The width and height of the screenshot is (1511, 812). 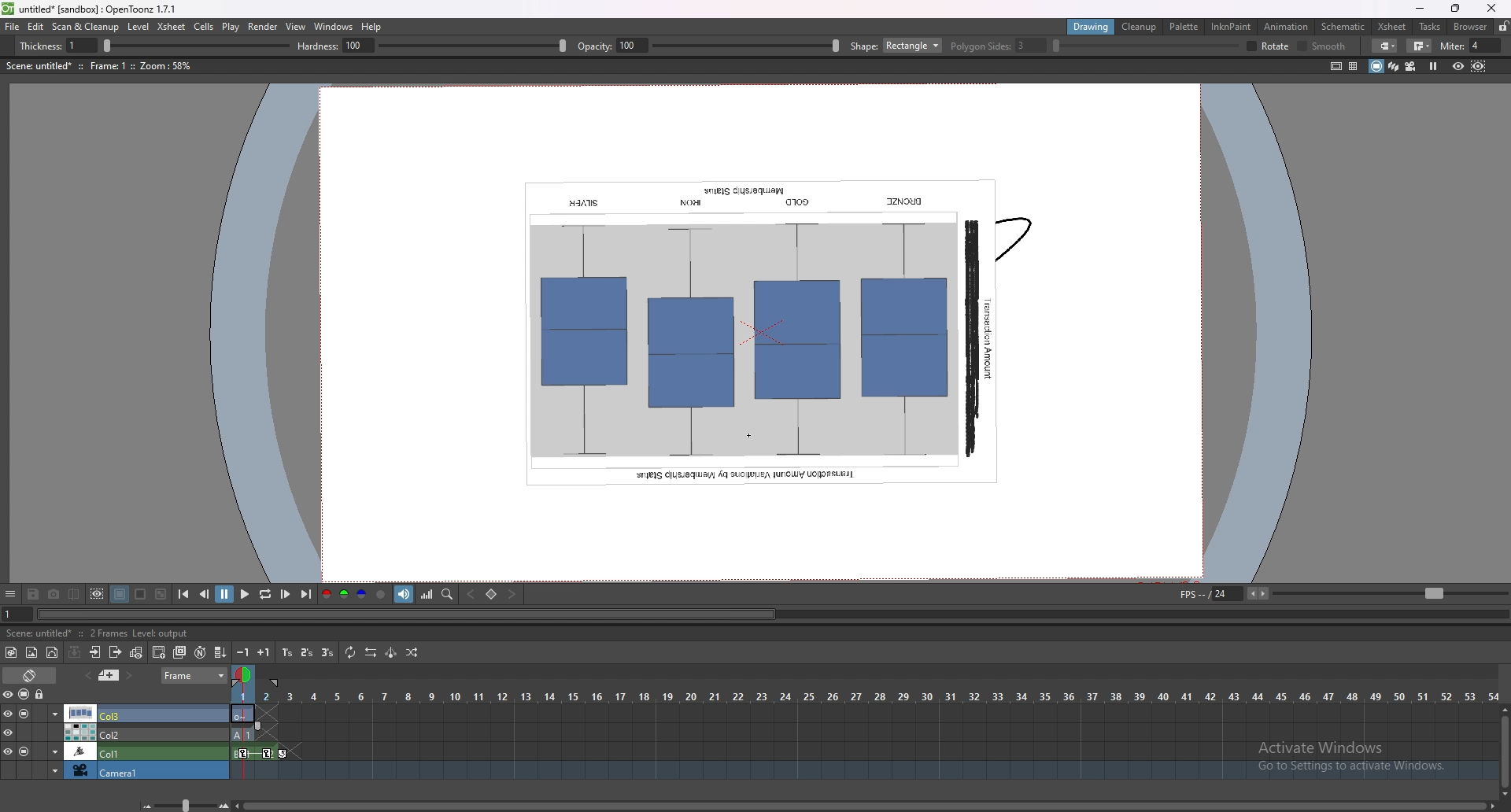 What do you see at coordinates (308, 654) in the screenshot?
I see `reframe on 2s` at bounding box center [308, 654].